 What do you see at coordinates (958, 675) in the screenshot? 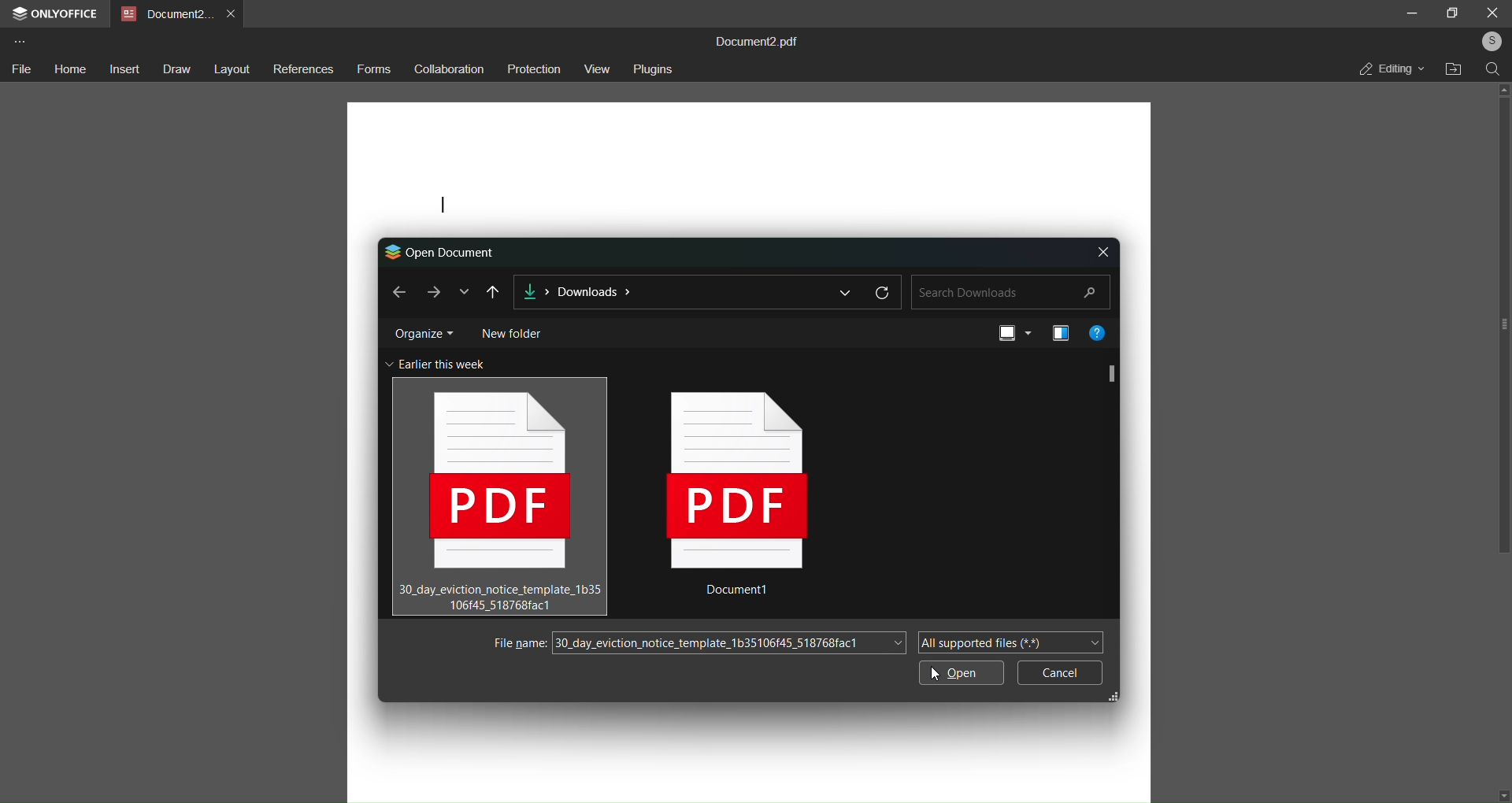
I see `open` at bounding box center [958, 675].